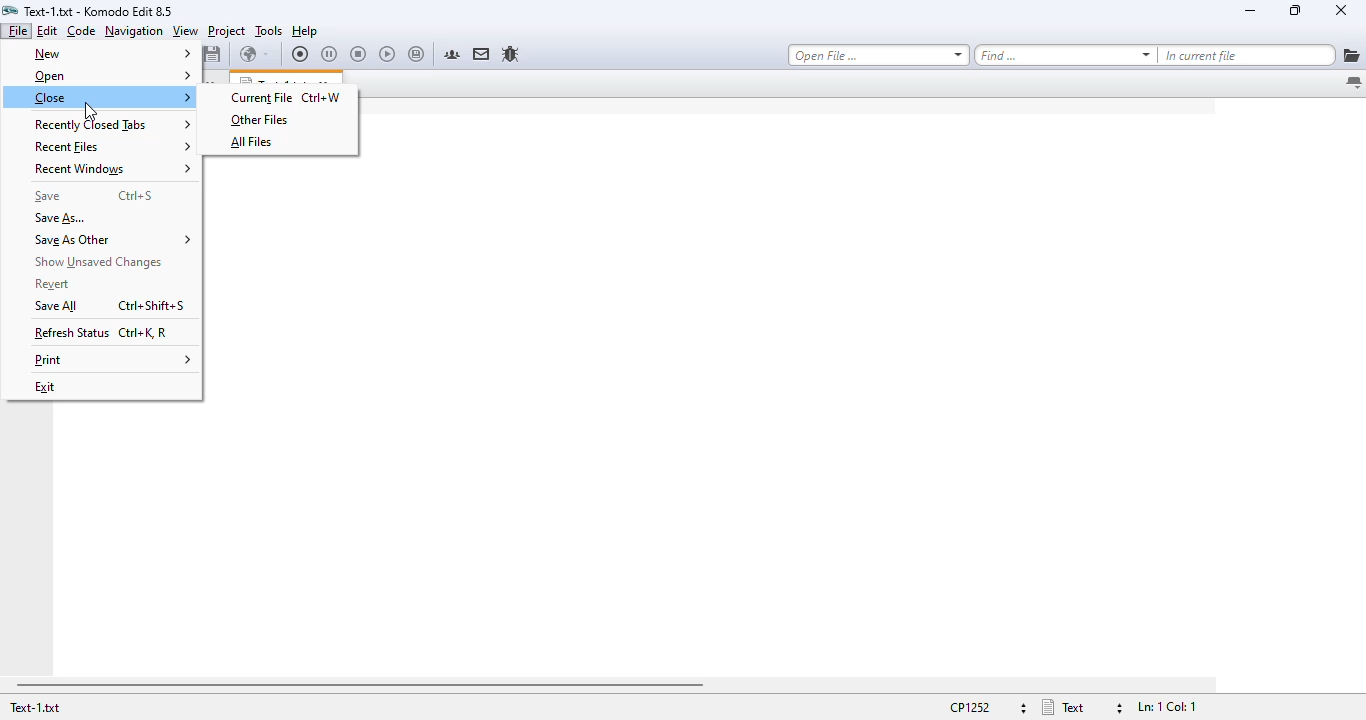 Image resolution: width=1366 pixels, height=720 pixels. Describe the element at coordinates (1081, 707) in the screenshot. I see `file type` at that location.